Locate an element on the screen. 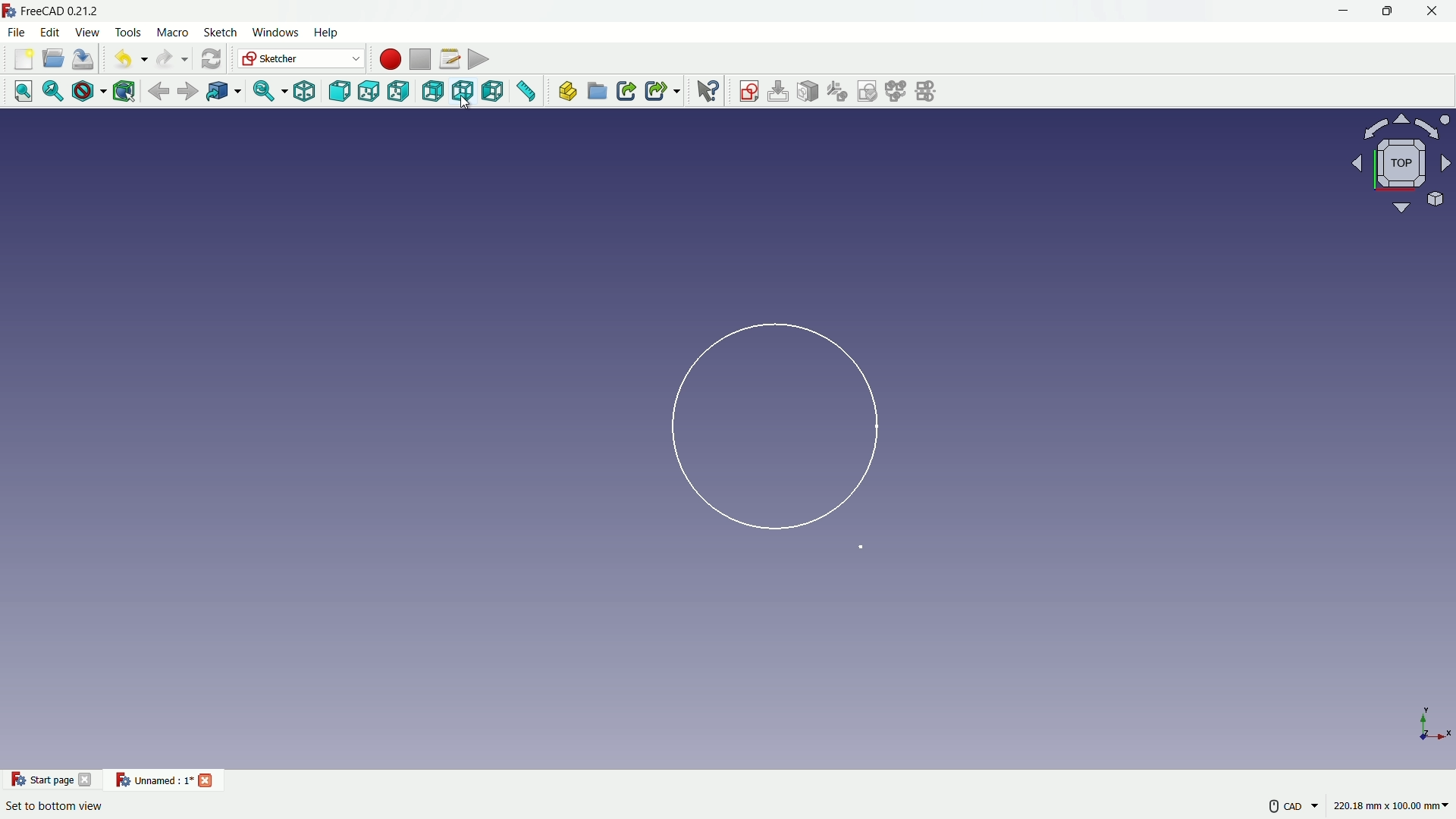 This screenshot has height=819, width=1456. stop macro is located at coordinates (419, 58).